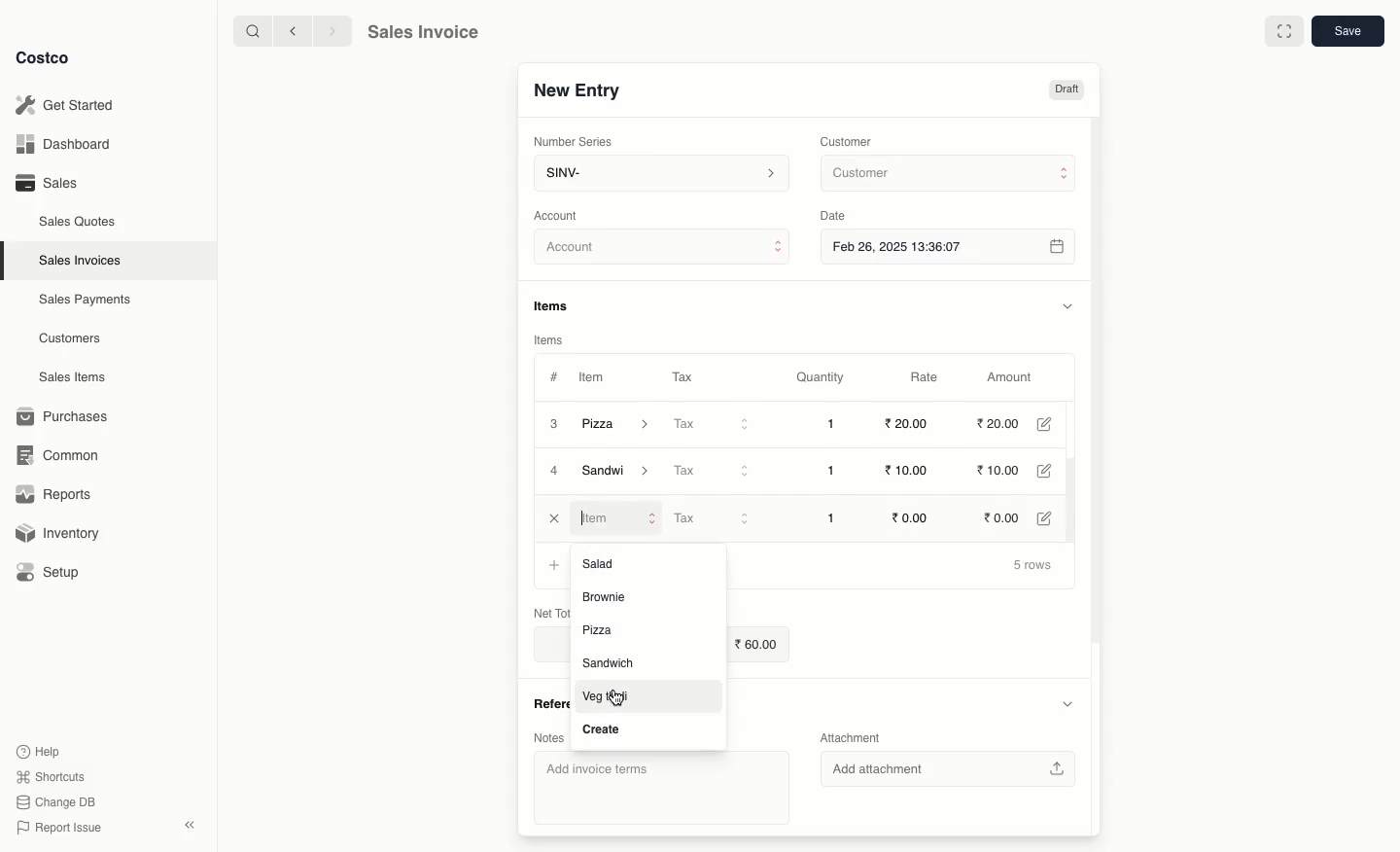 This screenshot has height=852, width=1400. I want to click on Draft, so click(1067, 90).